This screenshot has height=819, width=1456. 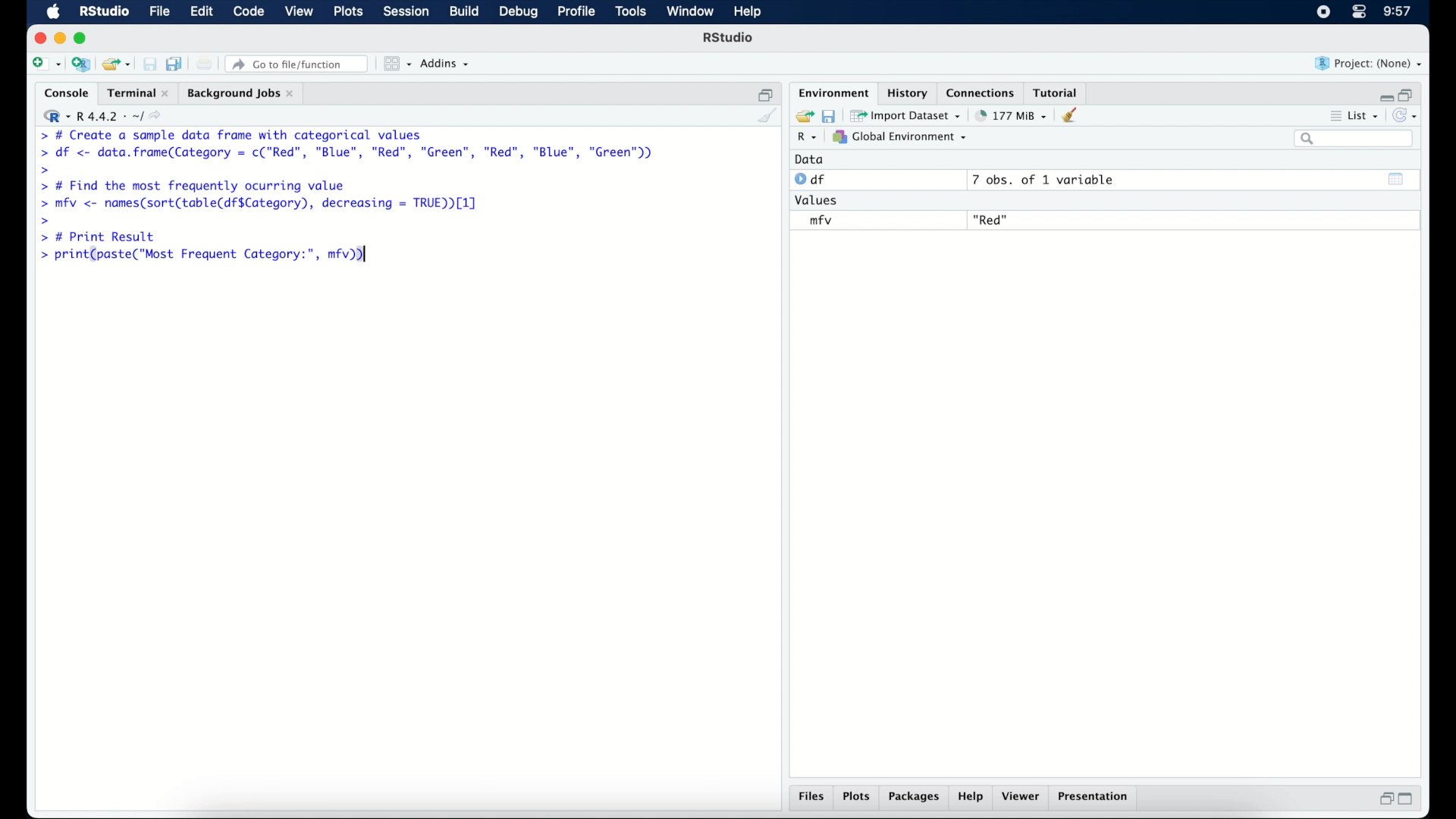 What do you see at coordinates (1075, 116) in the screenshot?
I see `clear` at bounding box center [1075, 116].